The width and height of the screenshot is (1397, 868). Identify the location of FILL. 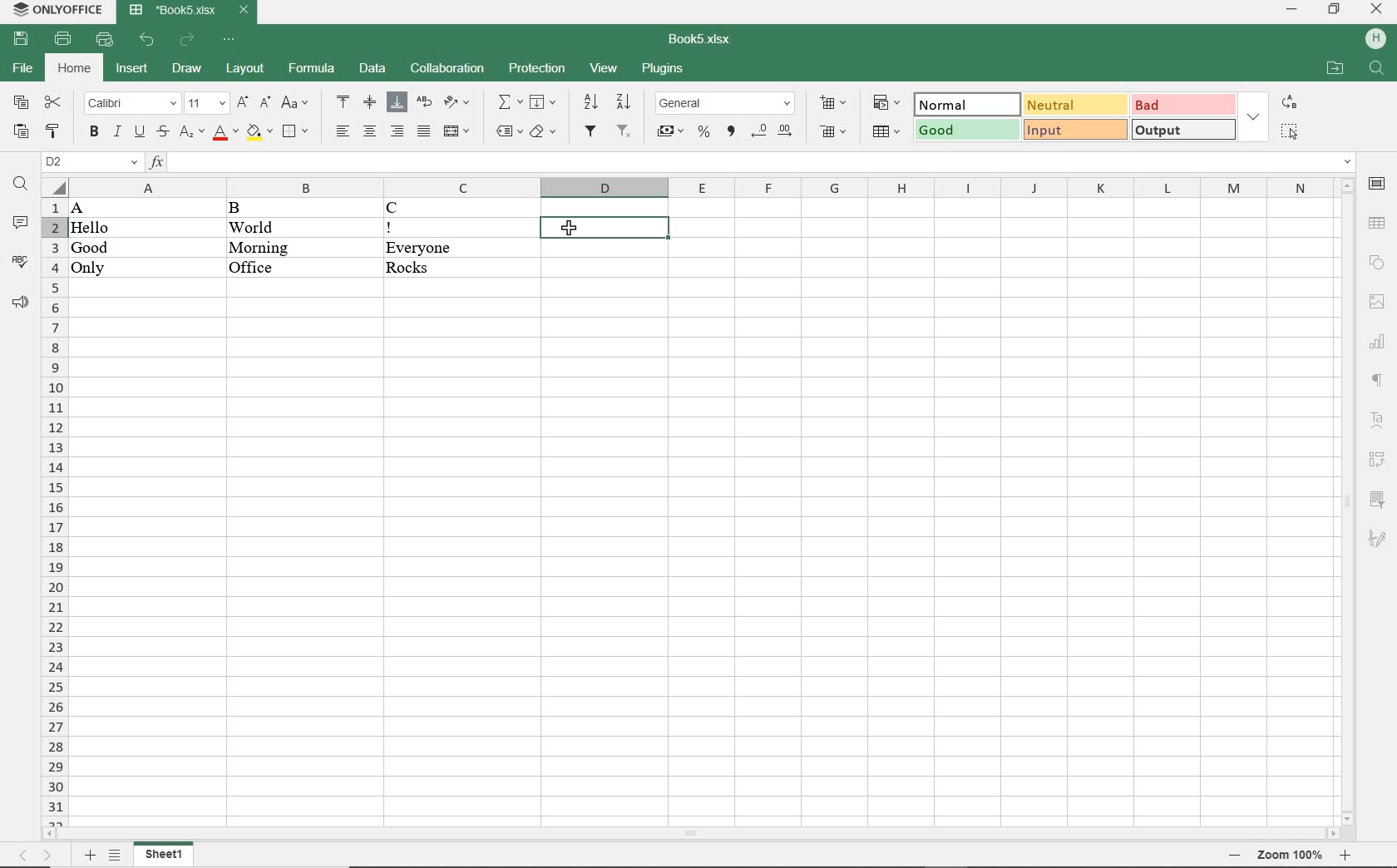
(545, 102).